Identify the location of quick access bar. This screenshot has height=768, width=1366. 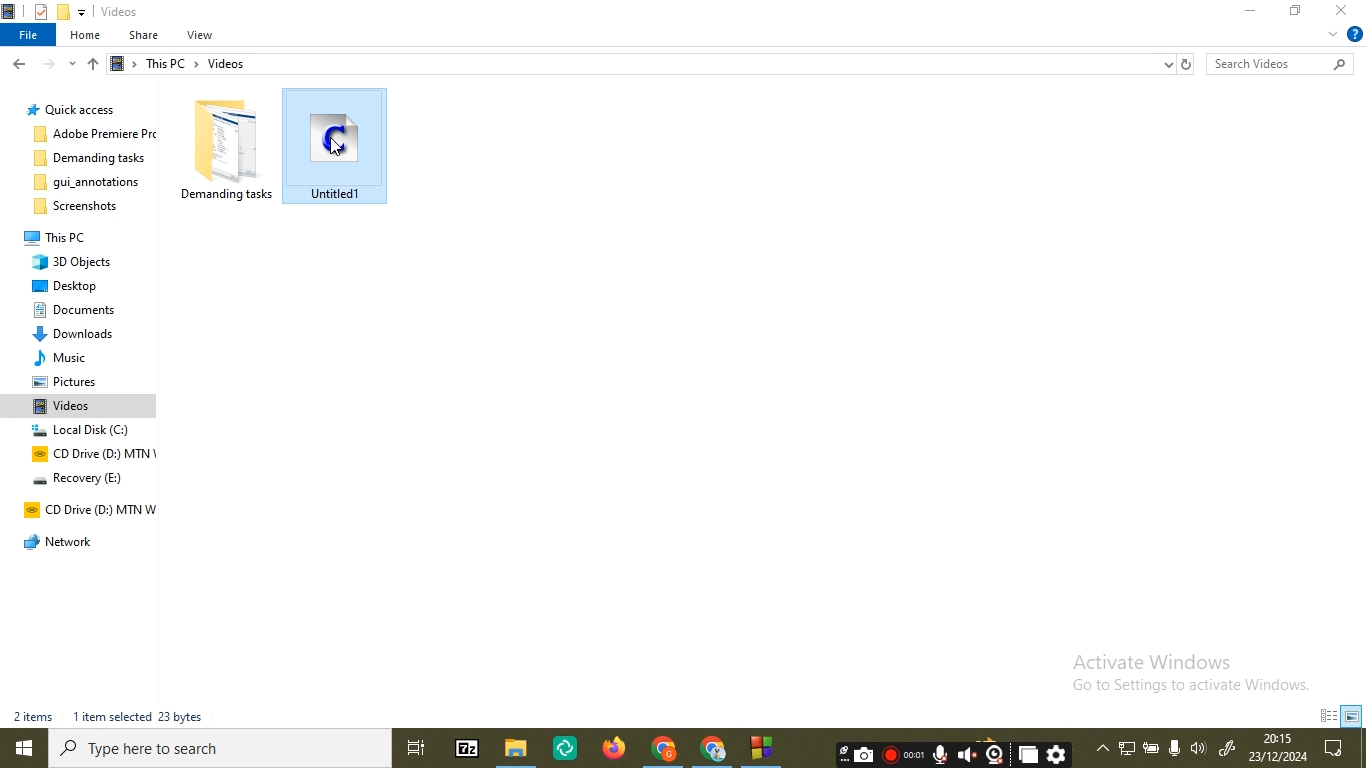
(1225, 750).